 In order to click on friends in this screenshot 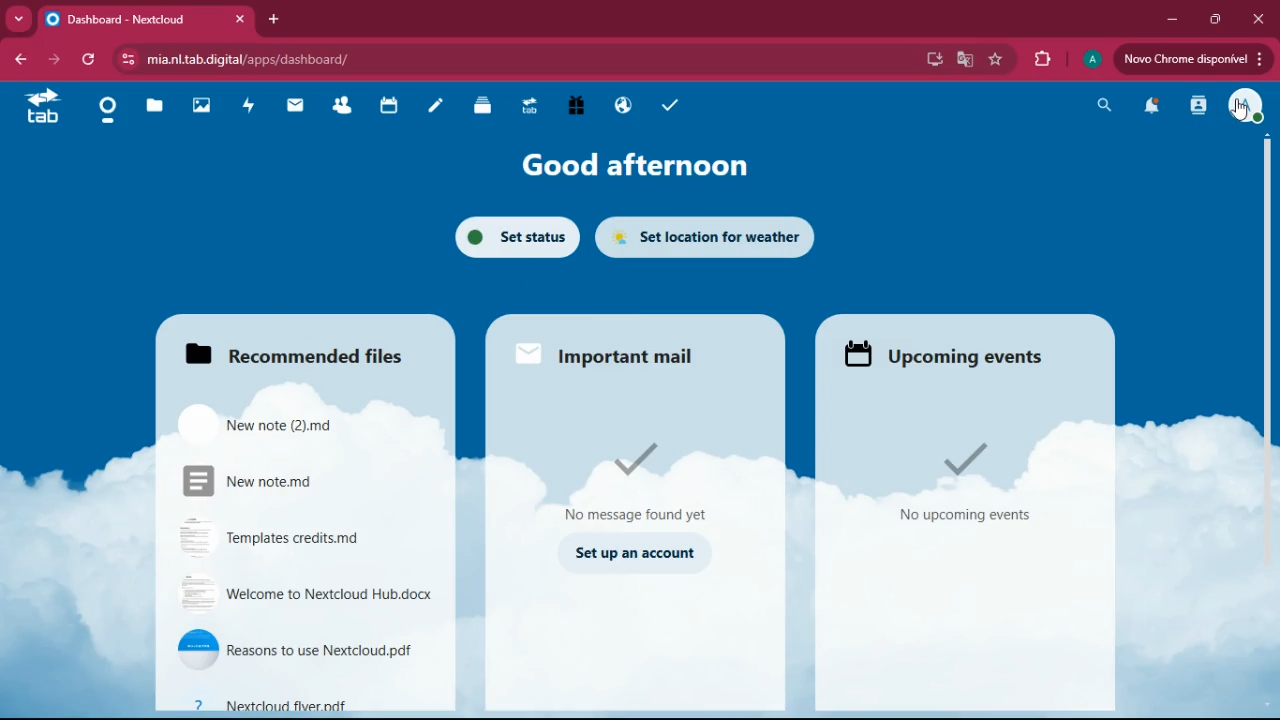, I will do `click(346, 107)`.